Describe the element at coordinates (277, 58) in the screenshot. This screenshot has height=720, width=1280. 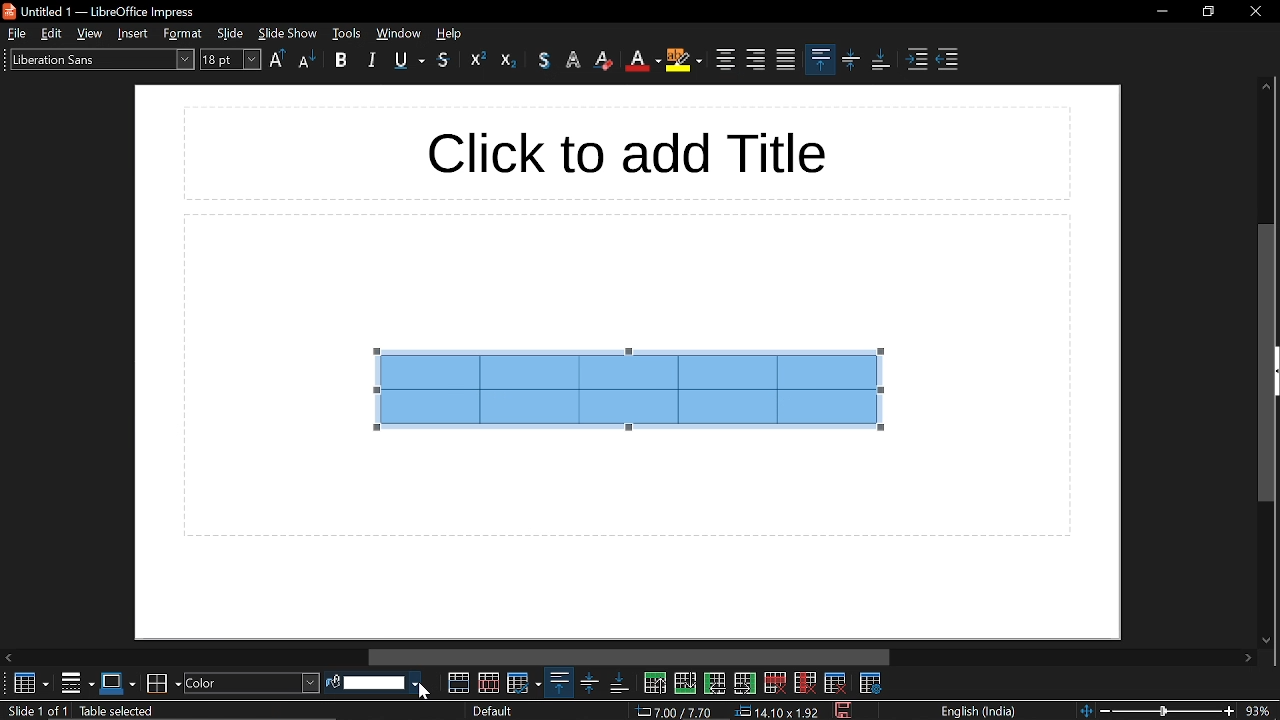
I see `upper case` at that location.